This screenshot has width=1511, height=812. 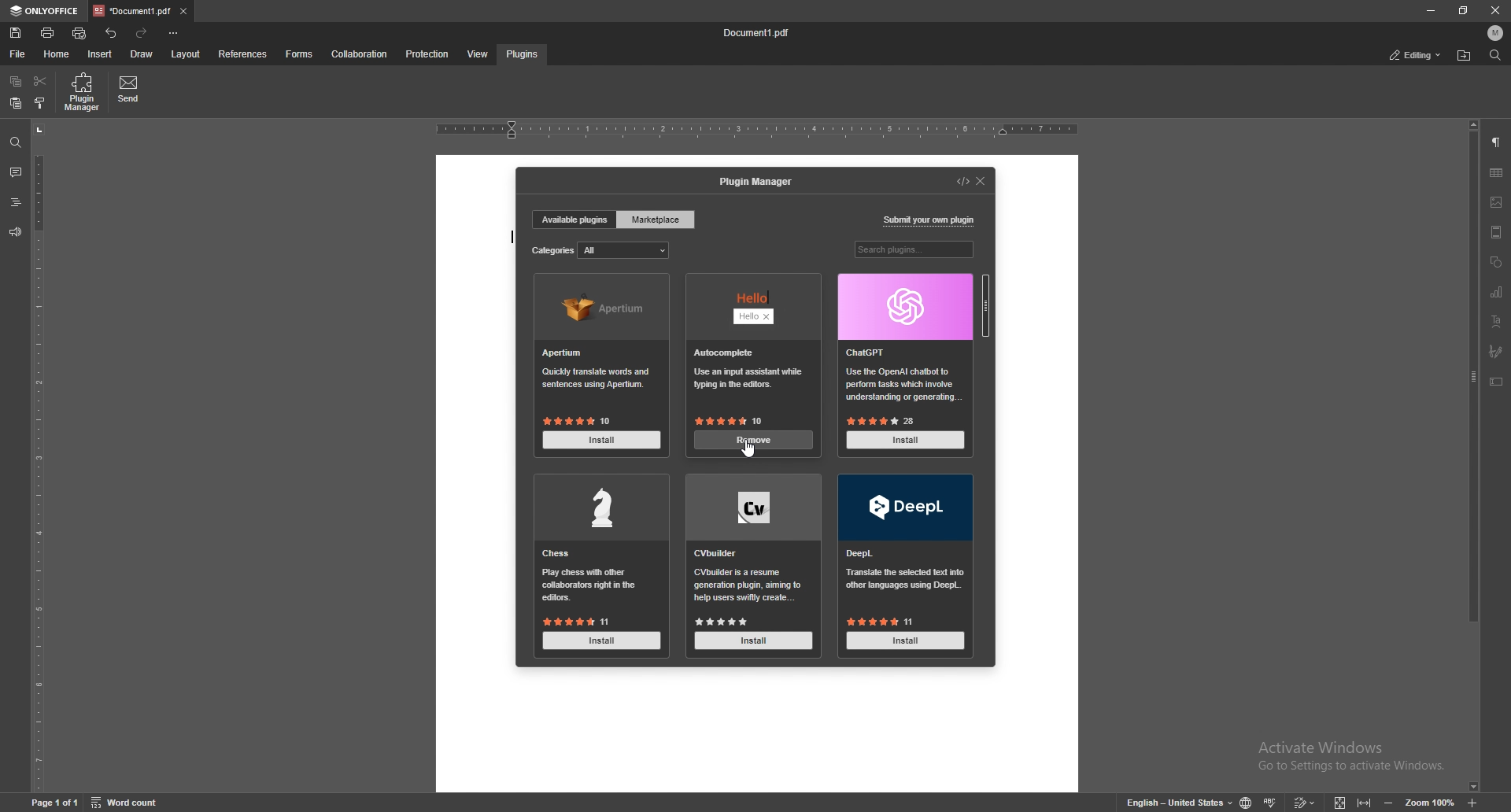 I want to click on text box, so click(x=1496, y=382).